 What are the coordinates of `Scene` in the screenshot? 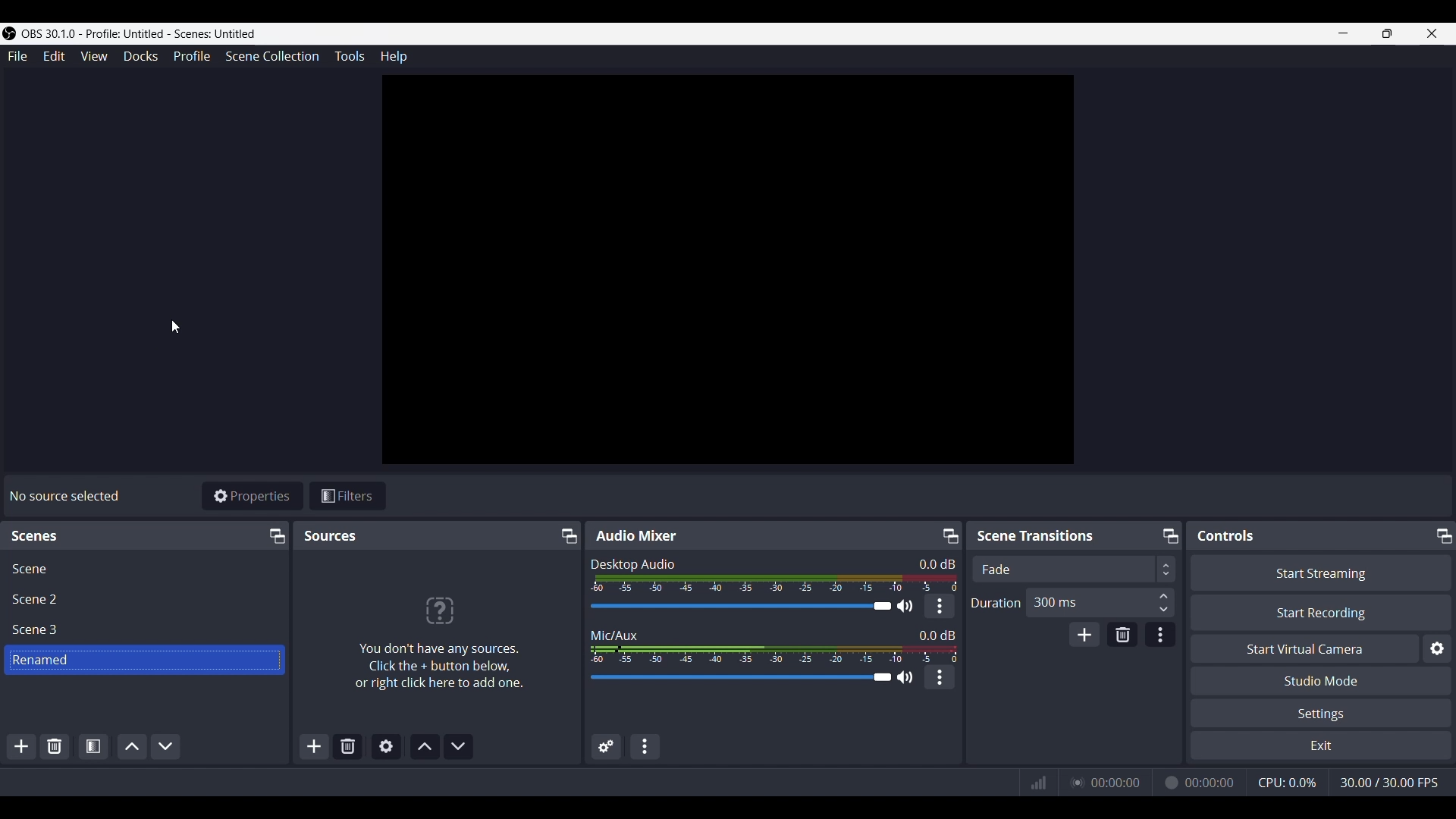 It's located at (30, 569).